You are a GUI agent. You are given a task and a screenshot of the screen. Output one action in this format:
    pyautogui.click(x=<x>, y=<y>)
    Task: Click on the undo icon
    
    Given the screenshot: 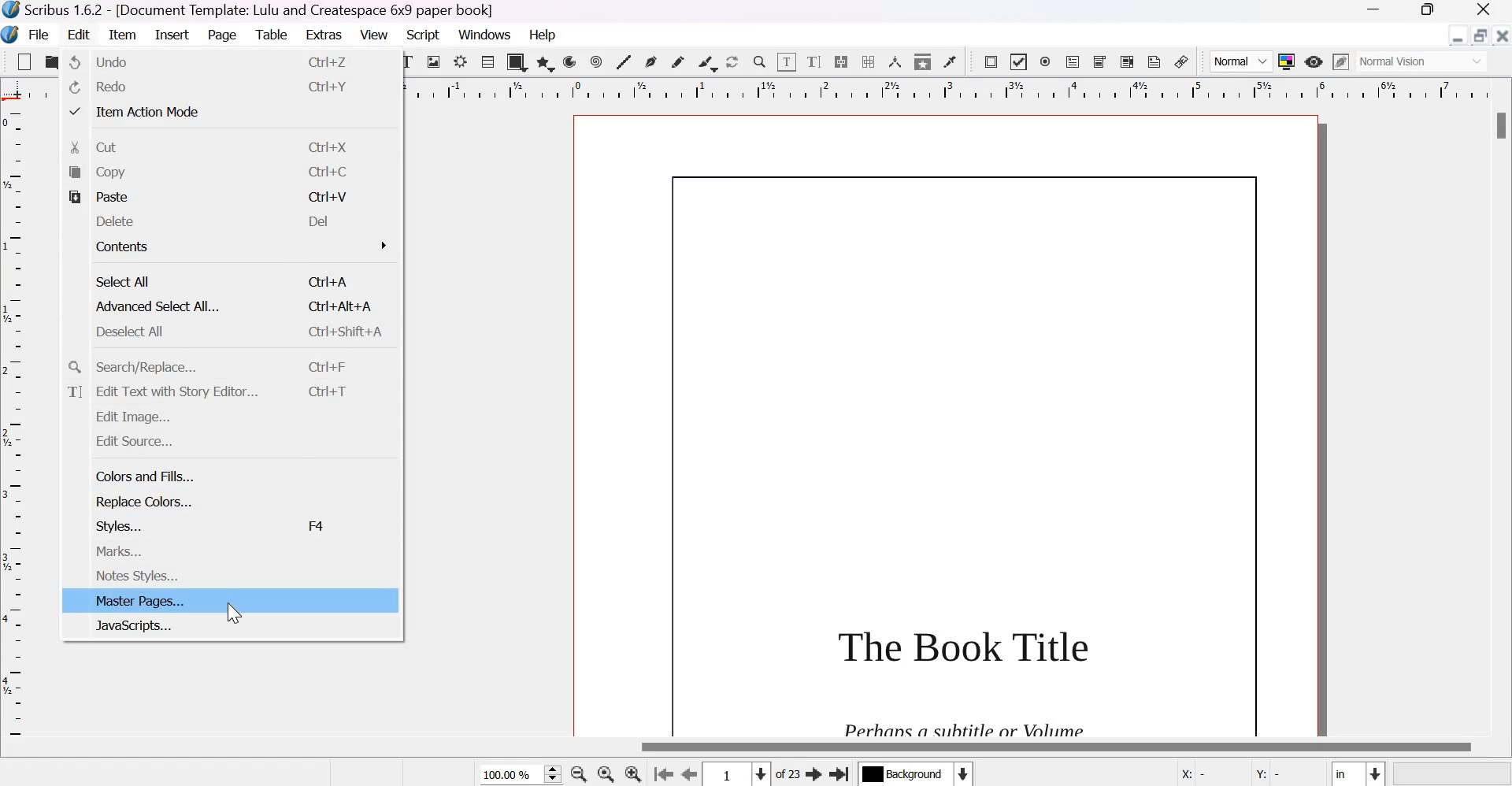 What is the action you would take?
    pyautogui.click(x=74, y=61)
    